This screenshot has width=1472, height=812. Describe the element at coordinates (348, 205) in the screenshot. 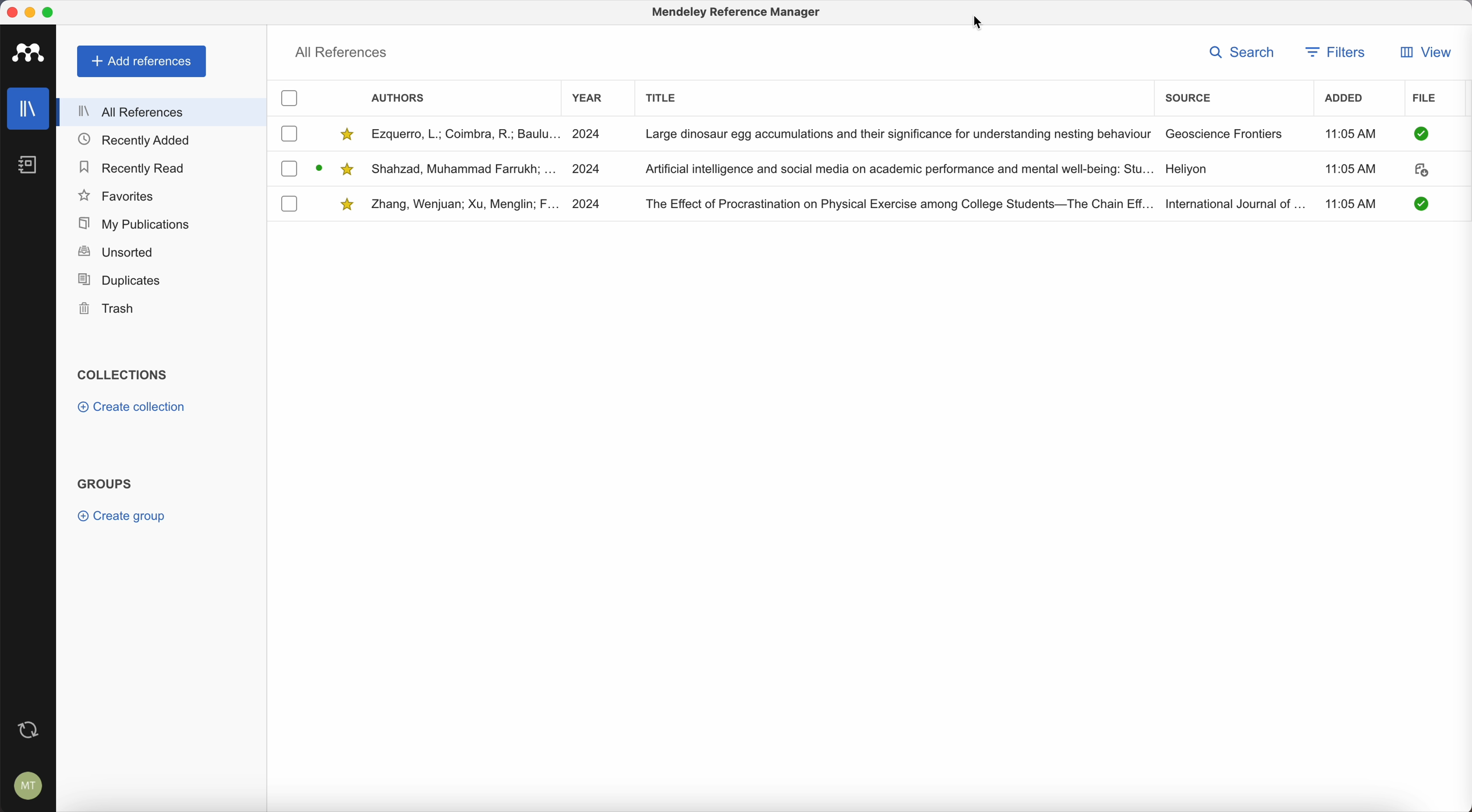

I see `favorite` at that location.